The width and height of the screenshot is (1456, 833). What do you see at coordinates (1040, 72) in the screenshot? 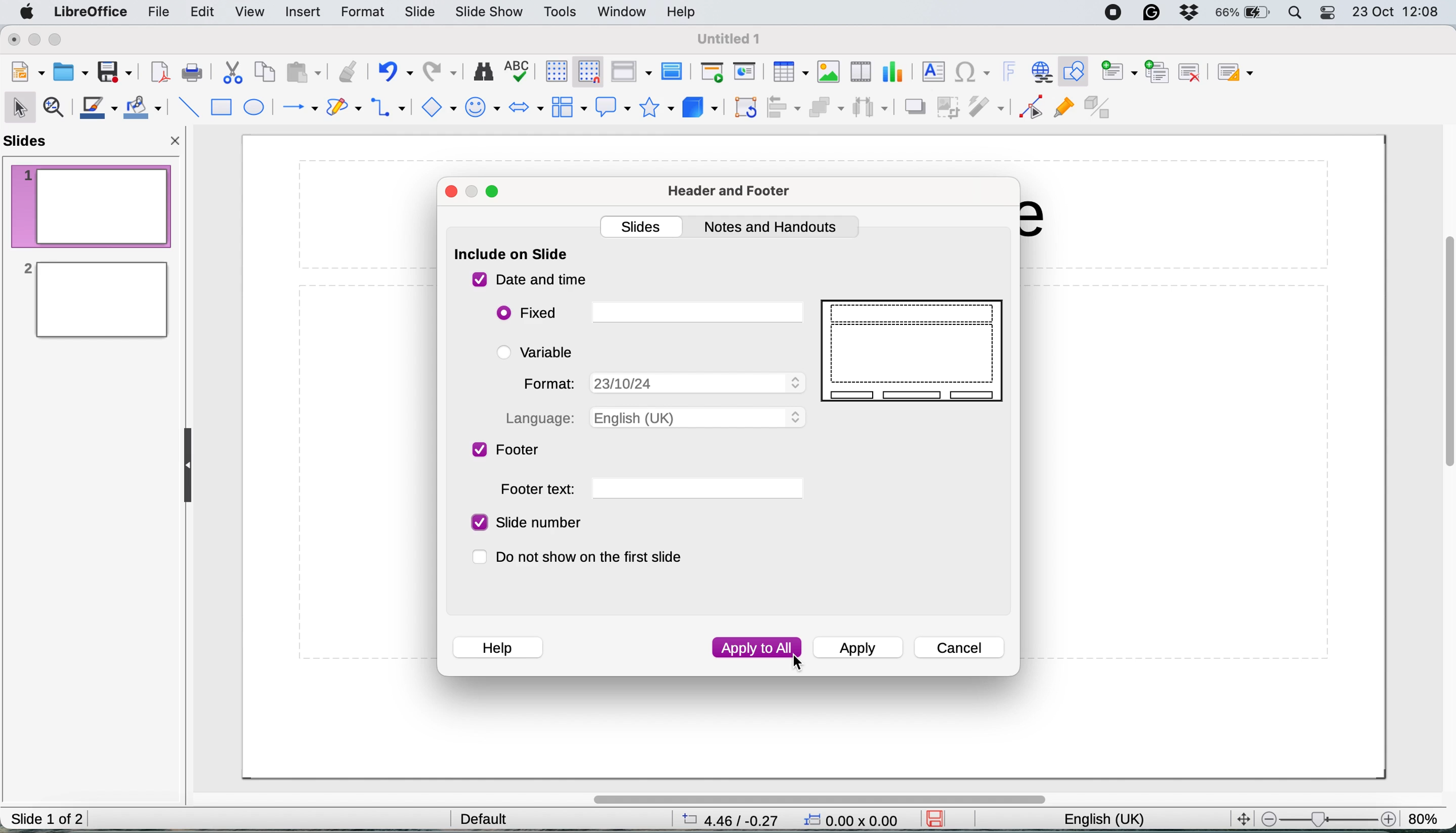
I see `insert hyperlink` at bounding box center [1040, 72].